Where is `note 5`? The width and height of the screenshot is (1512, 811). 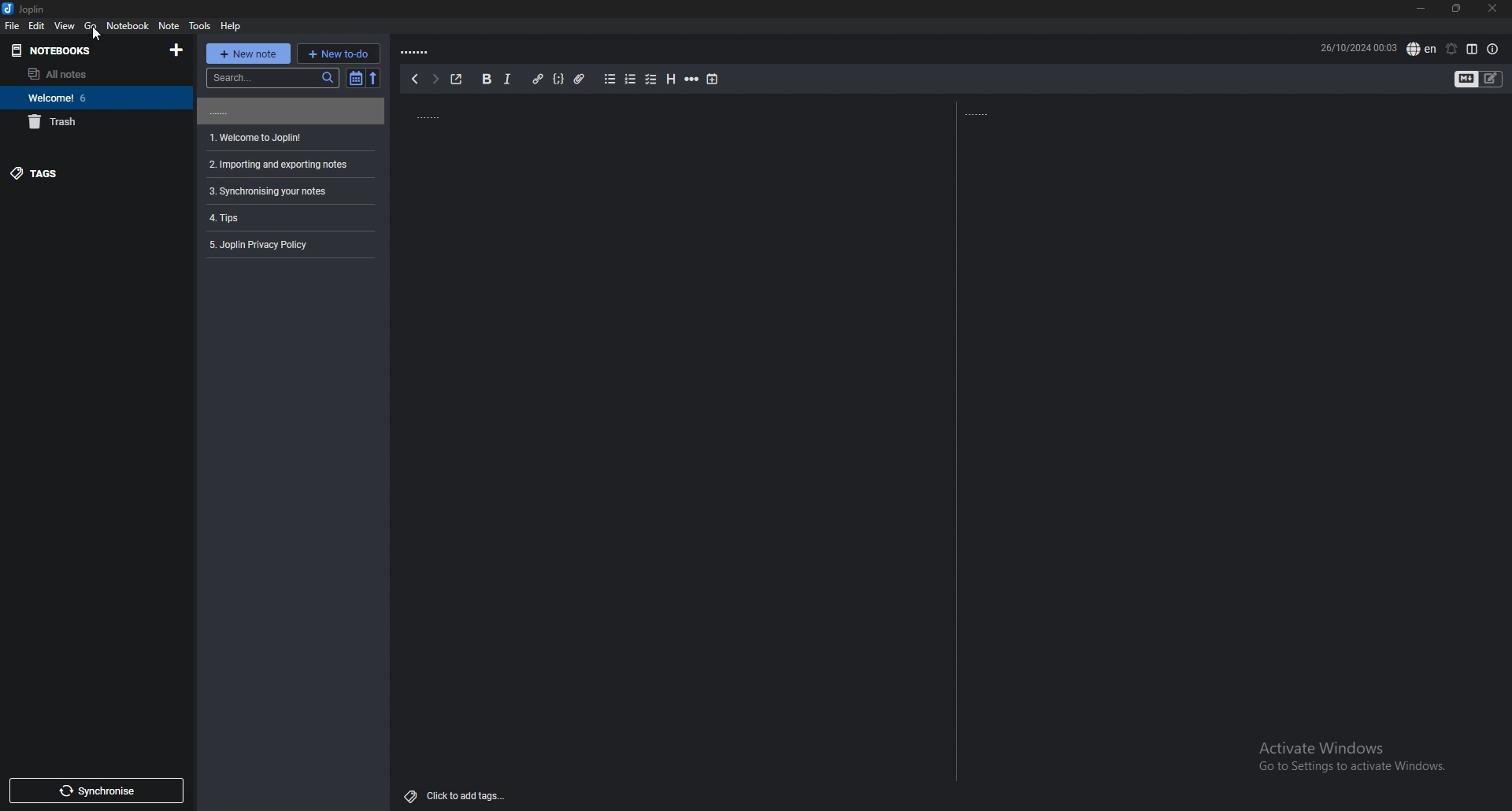
note 5 is located at coordinates (287, 217).